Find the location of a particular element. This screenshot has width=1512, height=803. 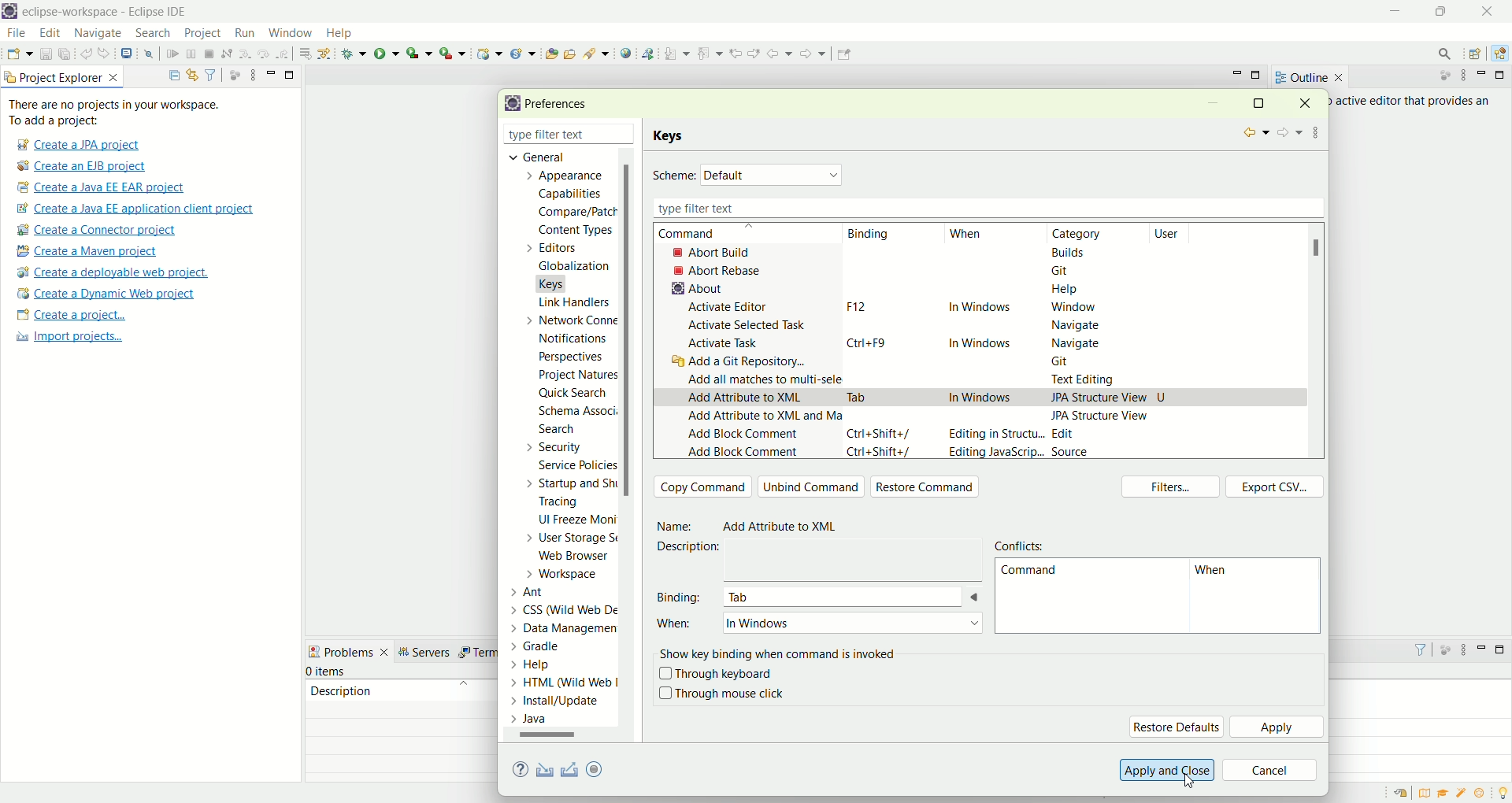

link with editor is located at coordinates (193, 75).